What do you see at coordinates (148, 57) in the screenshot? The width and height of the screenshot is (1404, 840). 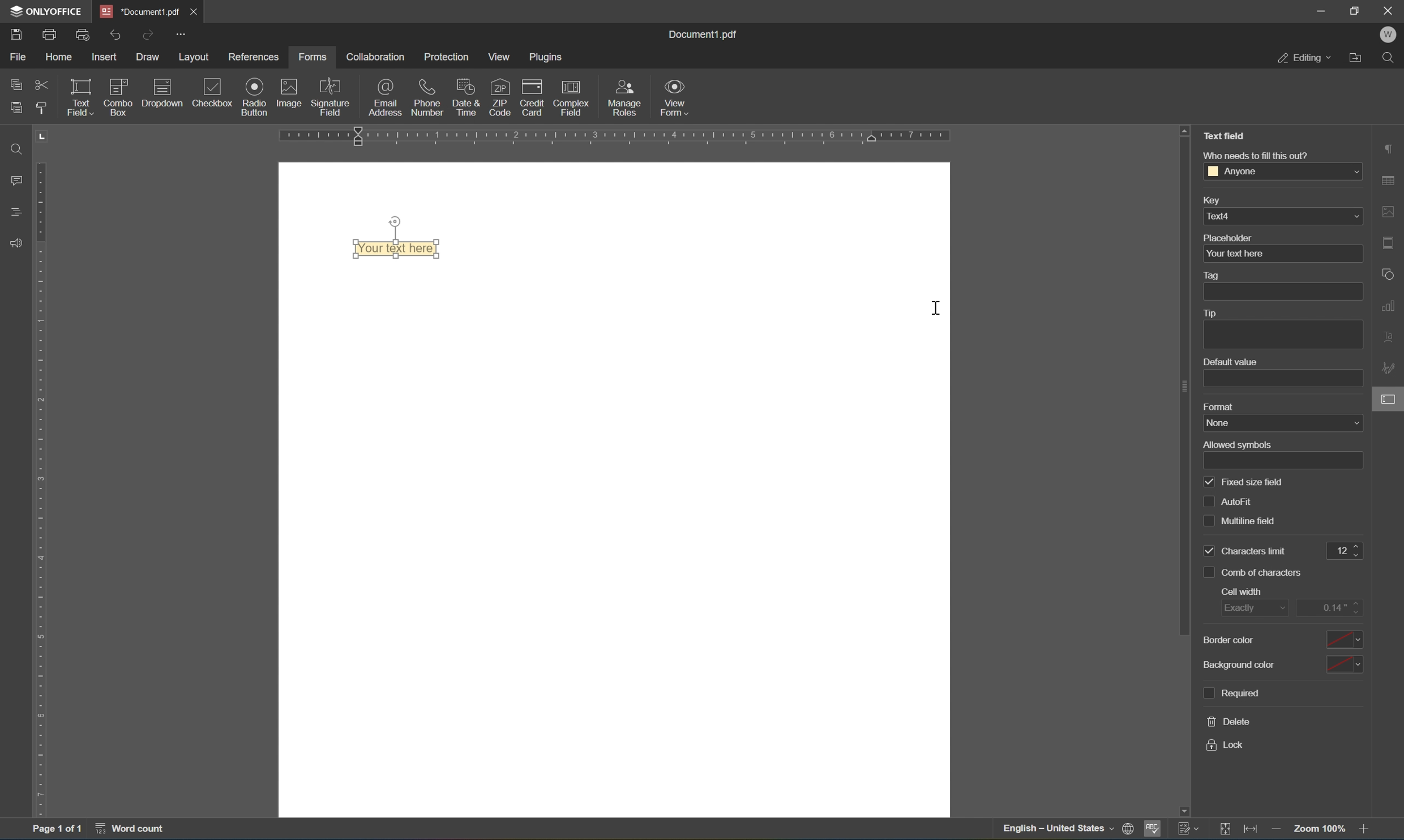 I see `draw` at bounding box center [148, 57].